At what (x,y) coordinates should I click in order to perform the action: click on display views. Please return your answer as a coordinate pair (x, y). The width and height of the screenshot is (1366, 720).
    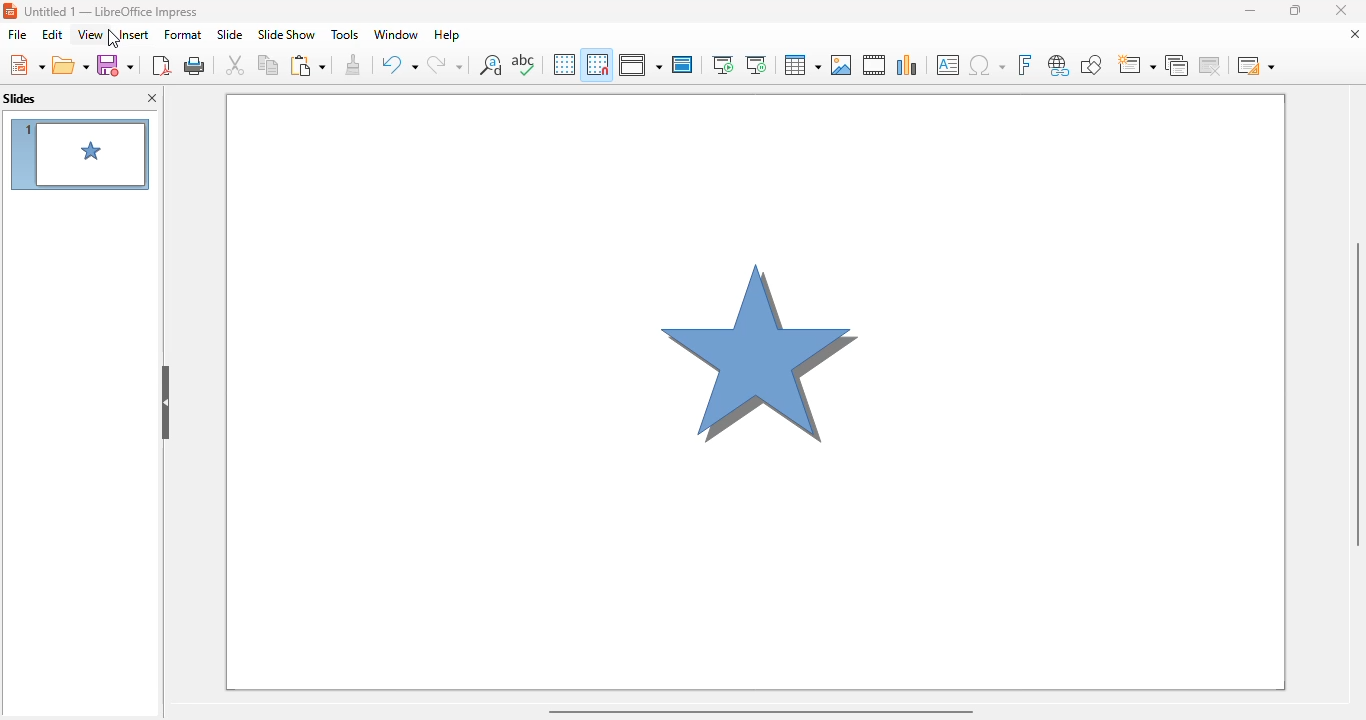
    Looking at the image, I should click on (639, 64).